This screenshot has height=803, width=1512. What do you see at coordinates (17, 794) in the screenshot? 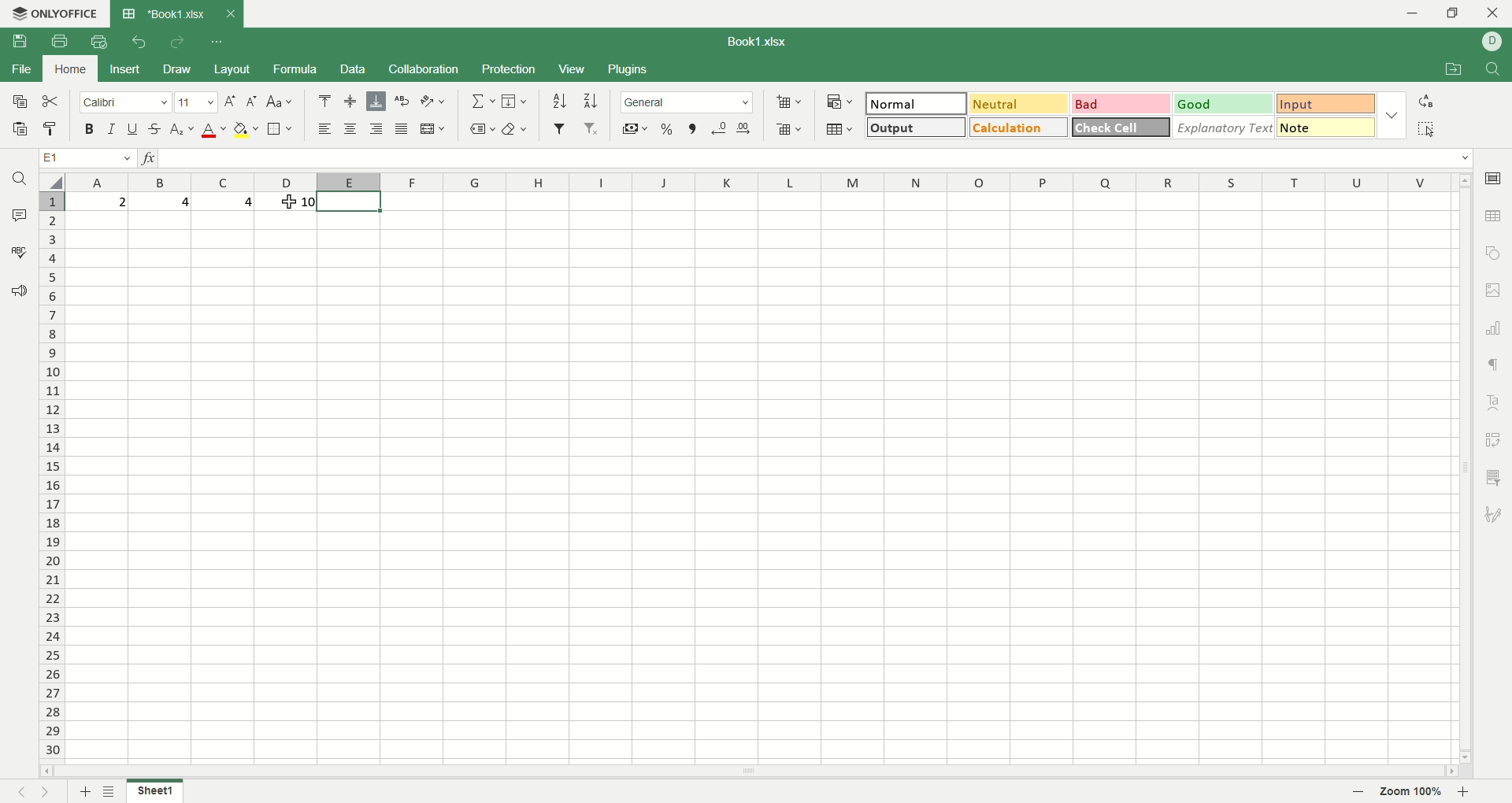
I see `previous sheet` at bounding box center [17, 794].